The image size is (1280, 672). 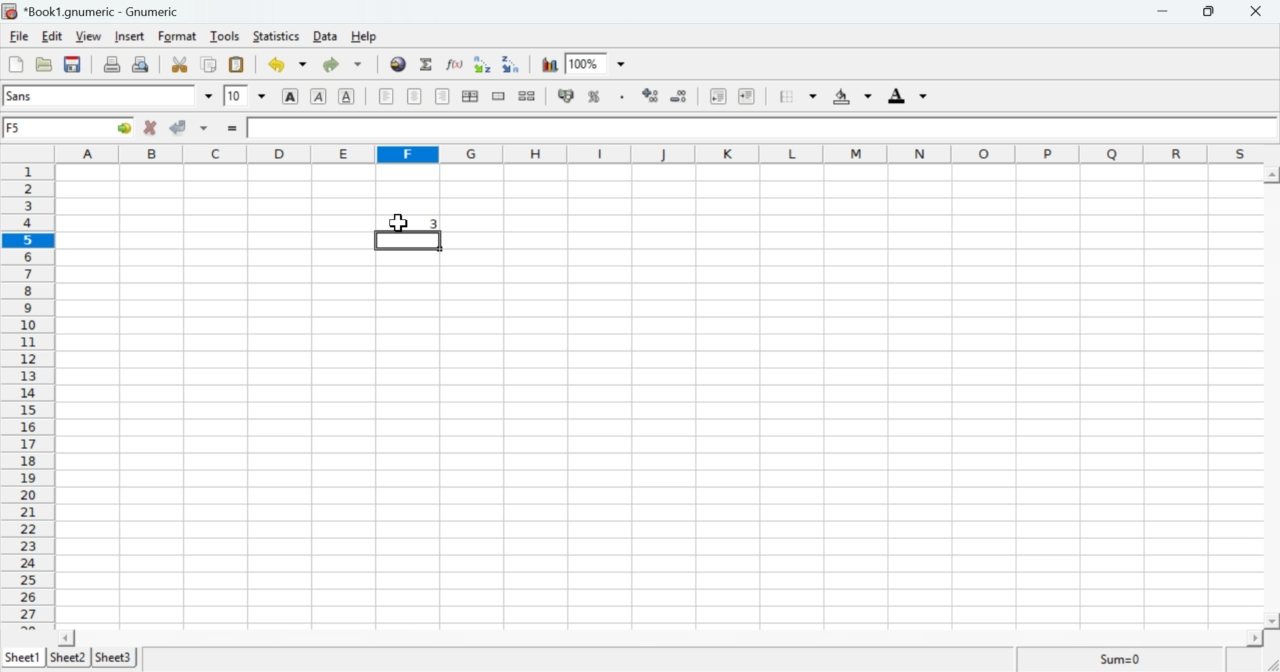 I want to click on View, so click(x=88, y=36).